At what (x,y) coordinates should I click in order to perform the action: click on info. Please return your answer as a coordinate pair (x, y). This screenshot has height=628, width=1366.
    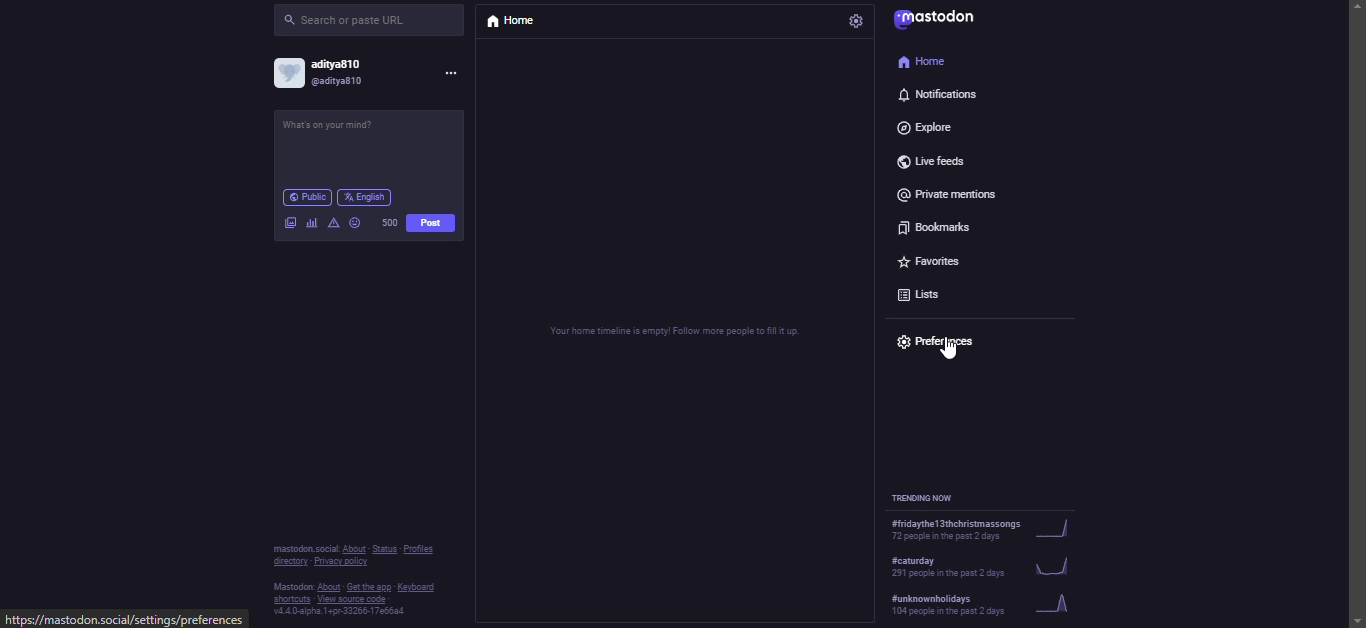
    Looking at the image, I should click on (350, 580).